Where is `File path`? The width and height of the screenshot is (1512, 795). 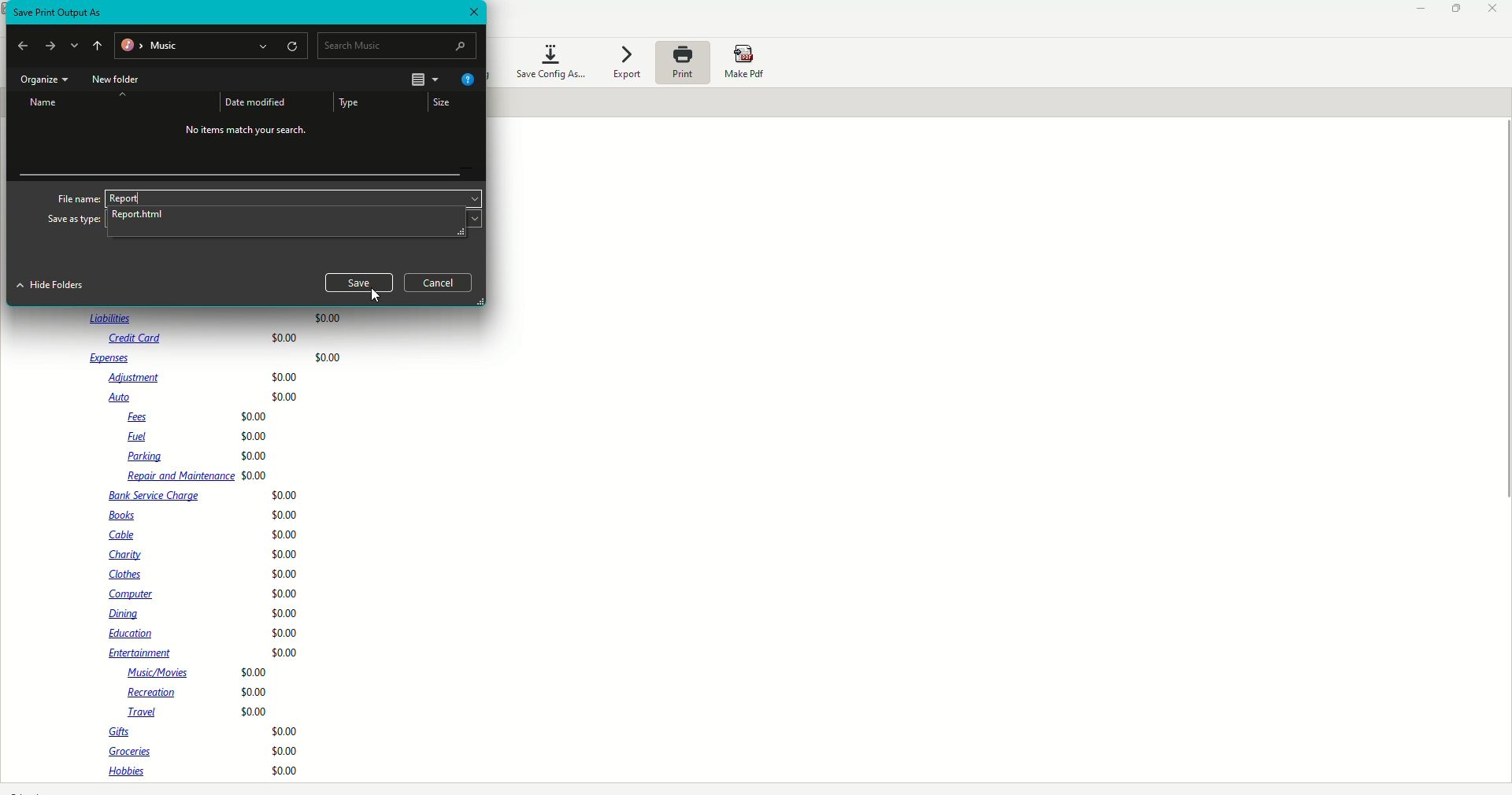 File path is located at coordinates (212, 47).